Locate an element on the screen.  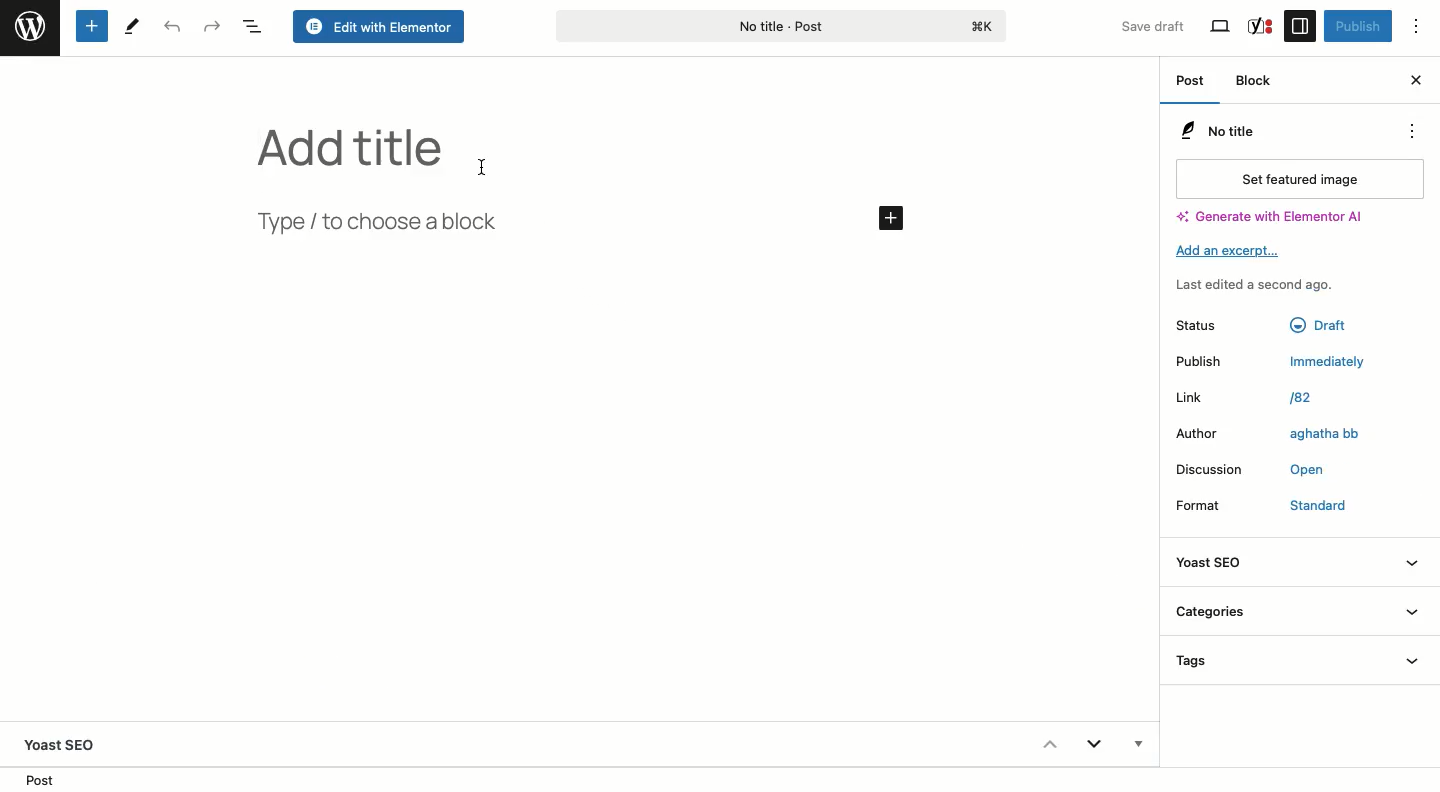
Link /82 is located at coordinates (1198, 399).